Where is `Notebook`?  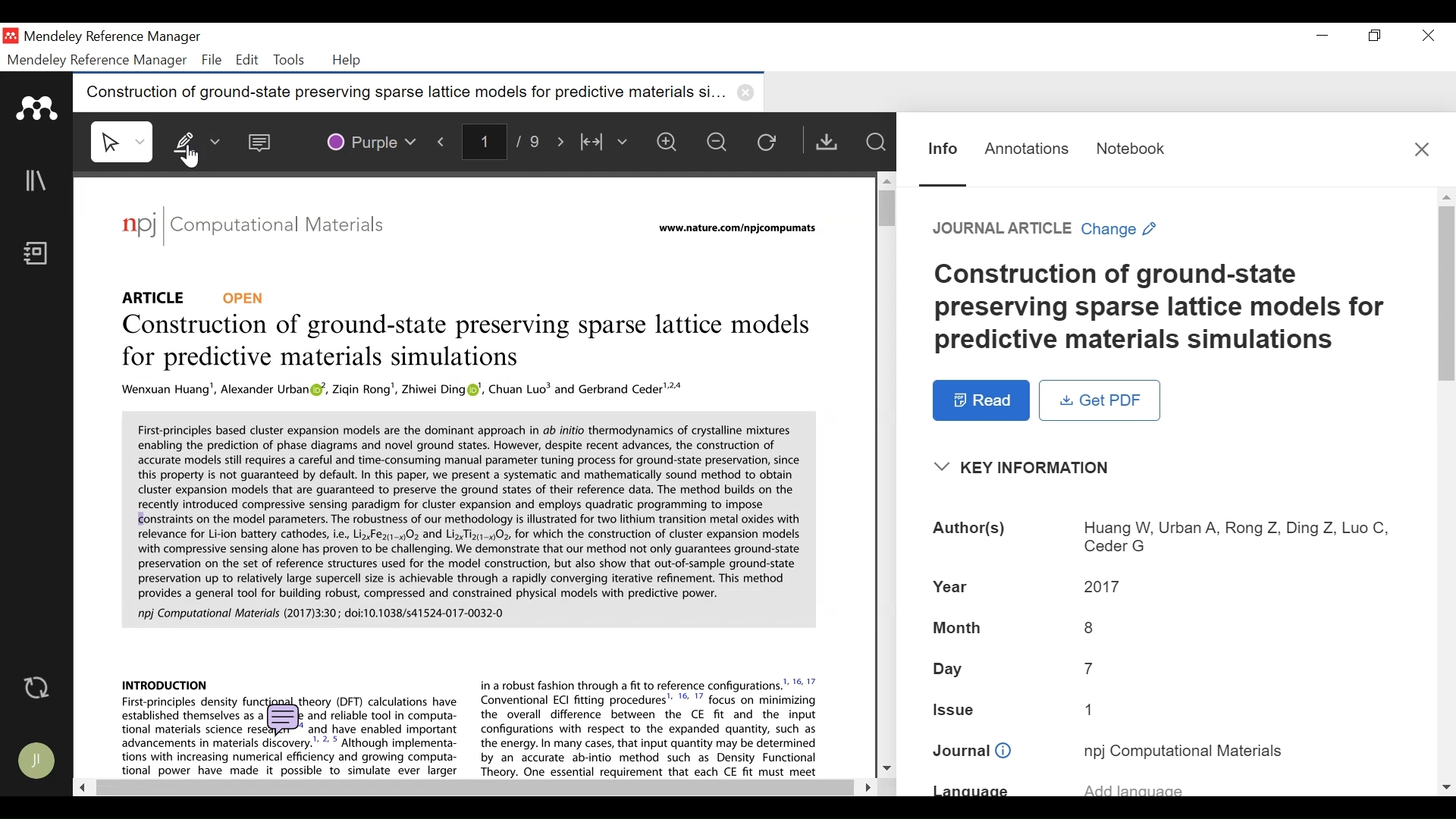 Notebook is located at coordinates (1131, 149).